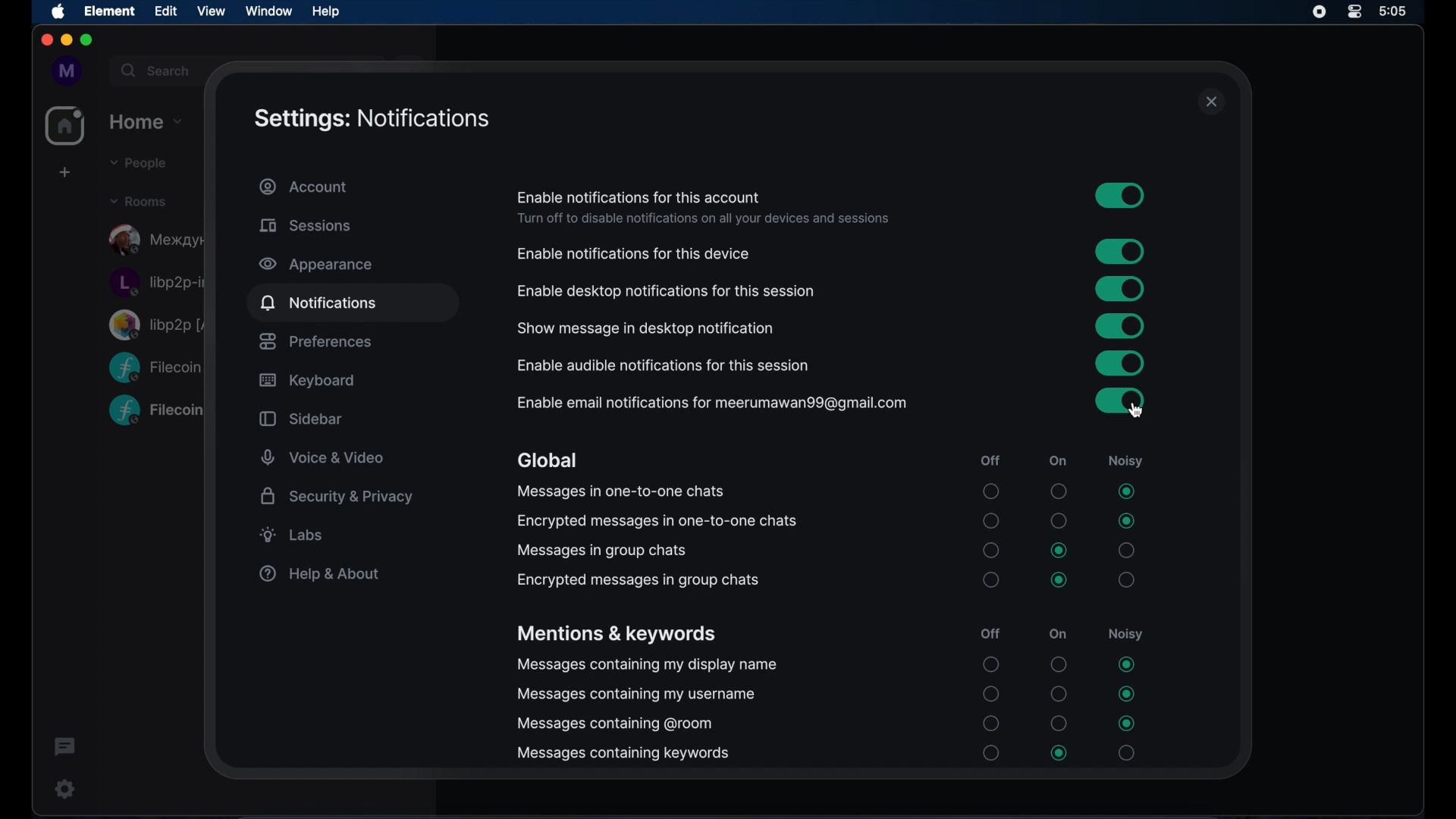 This screenshot has width=1456, height=819. What do you see at coordinates (711, 403) in the screenshot?
I see `enable email notifications for meerumawan99@gmail.com` at bounding box center [711, 403].